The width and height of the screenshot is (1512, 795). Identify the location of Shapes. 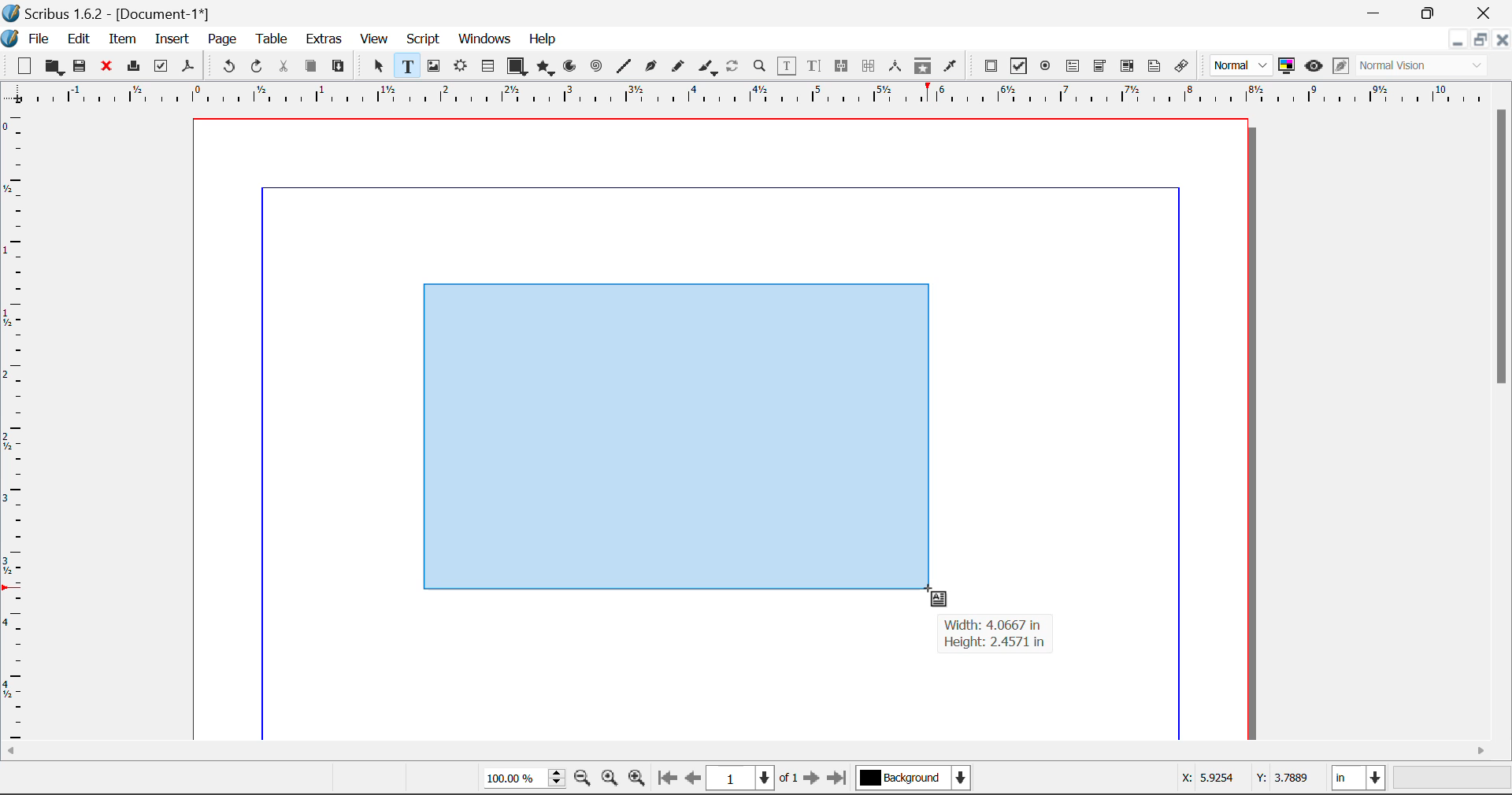
(517, 65).